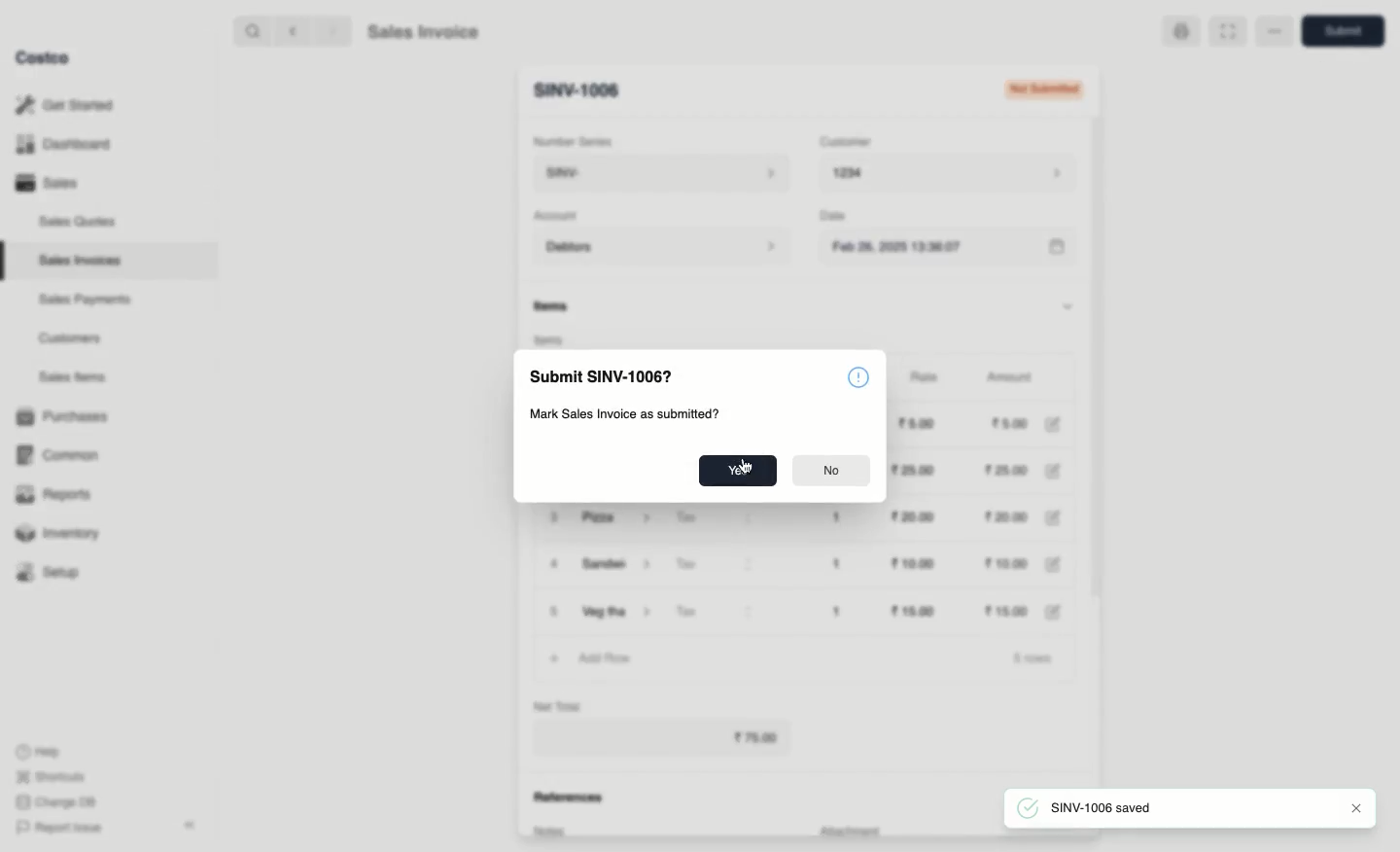  What do you see at coordinates (55, 572) in the screenshot?
I see `Setup` at bounding box center [55, 572].